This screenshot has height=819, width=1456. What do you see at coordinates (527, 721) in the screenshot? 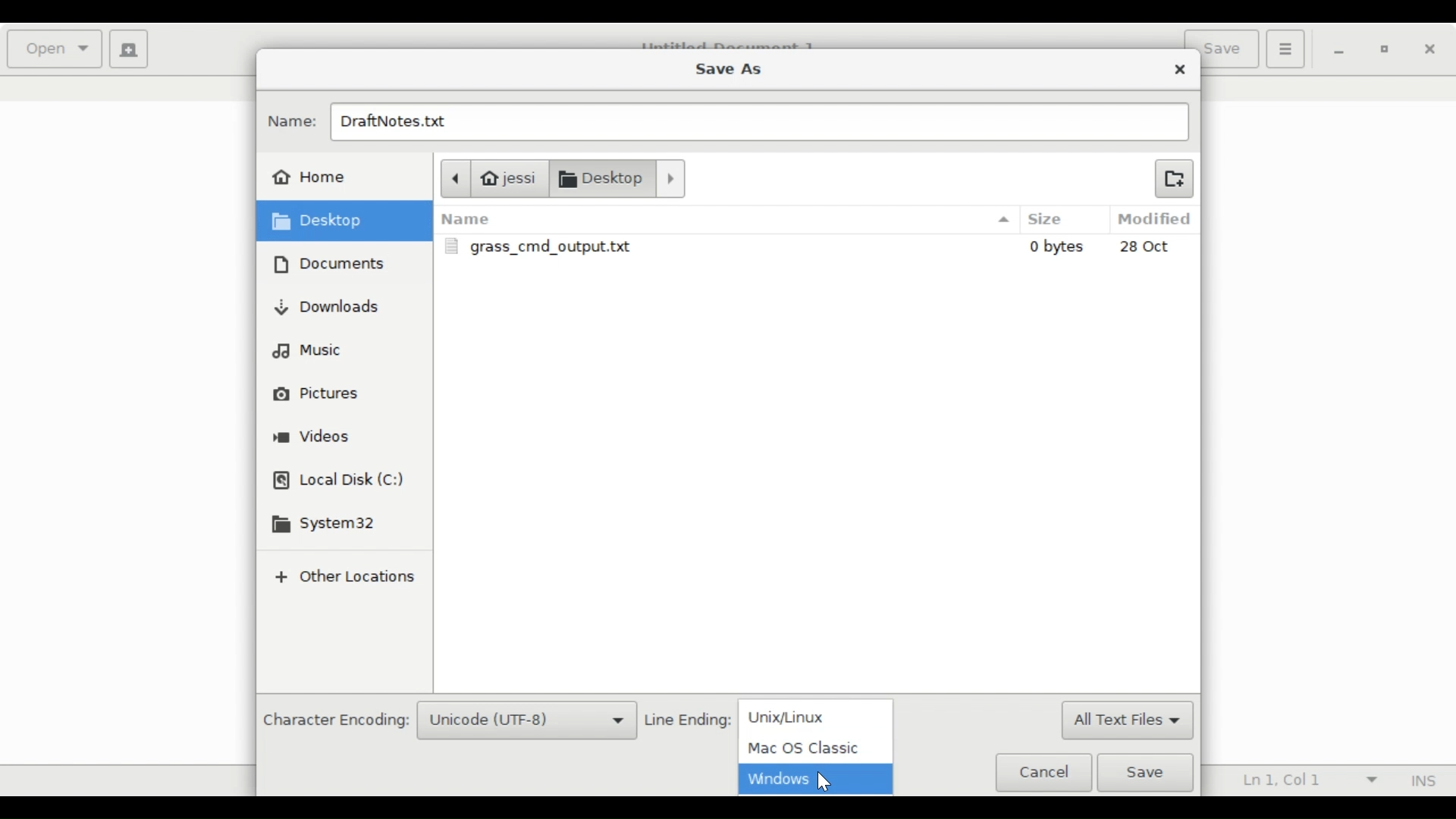
I see `Unicode (UTF-8)` at bounding box center [527, 721].